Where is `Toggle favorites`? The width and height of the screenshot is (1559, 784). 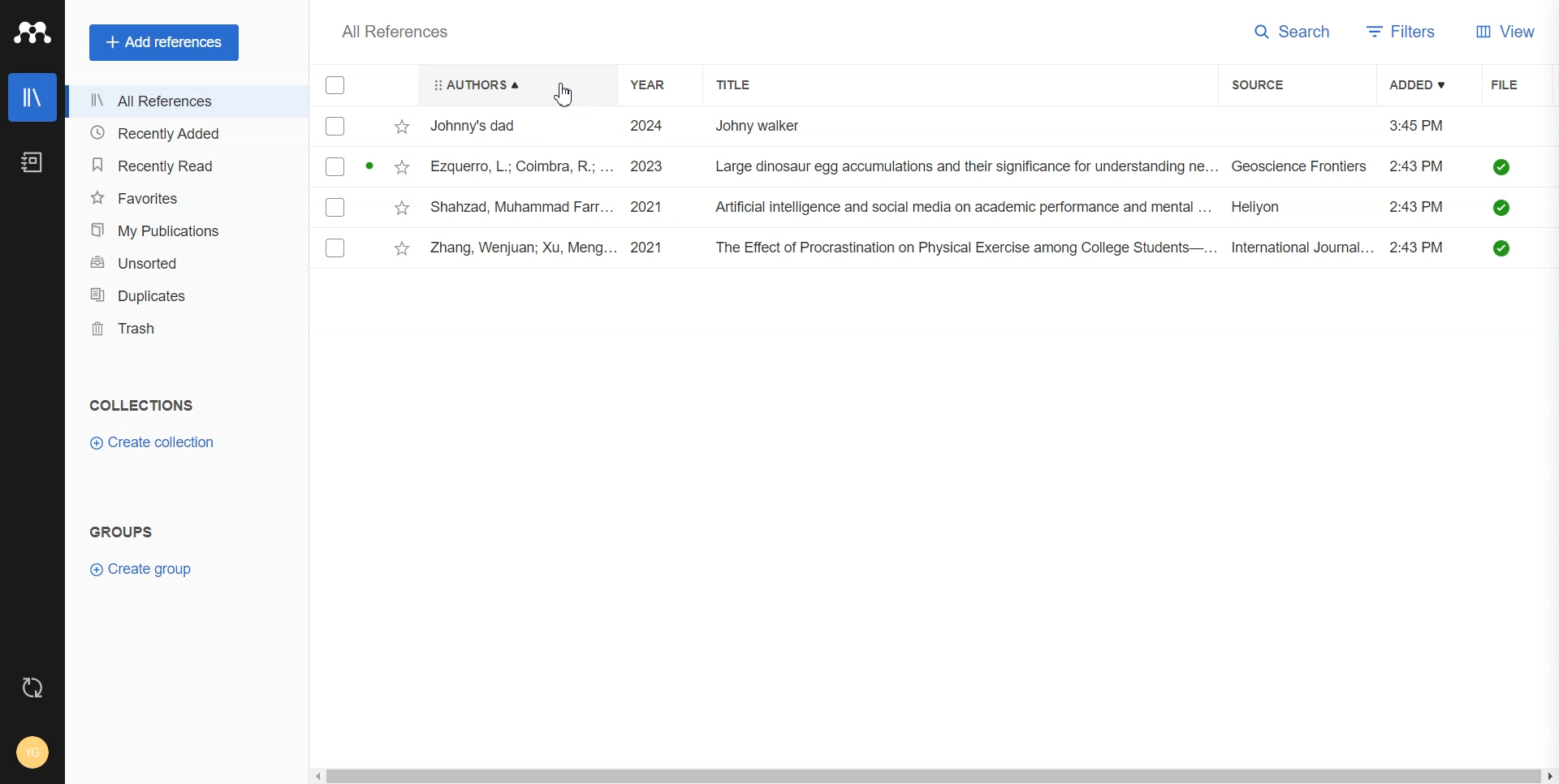 Toggle favorites is located at coordinates (403, 209).